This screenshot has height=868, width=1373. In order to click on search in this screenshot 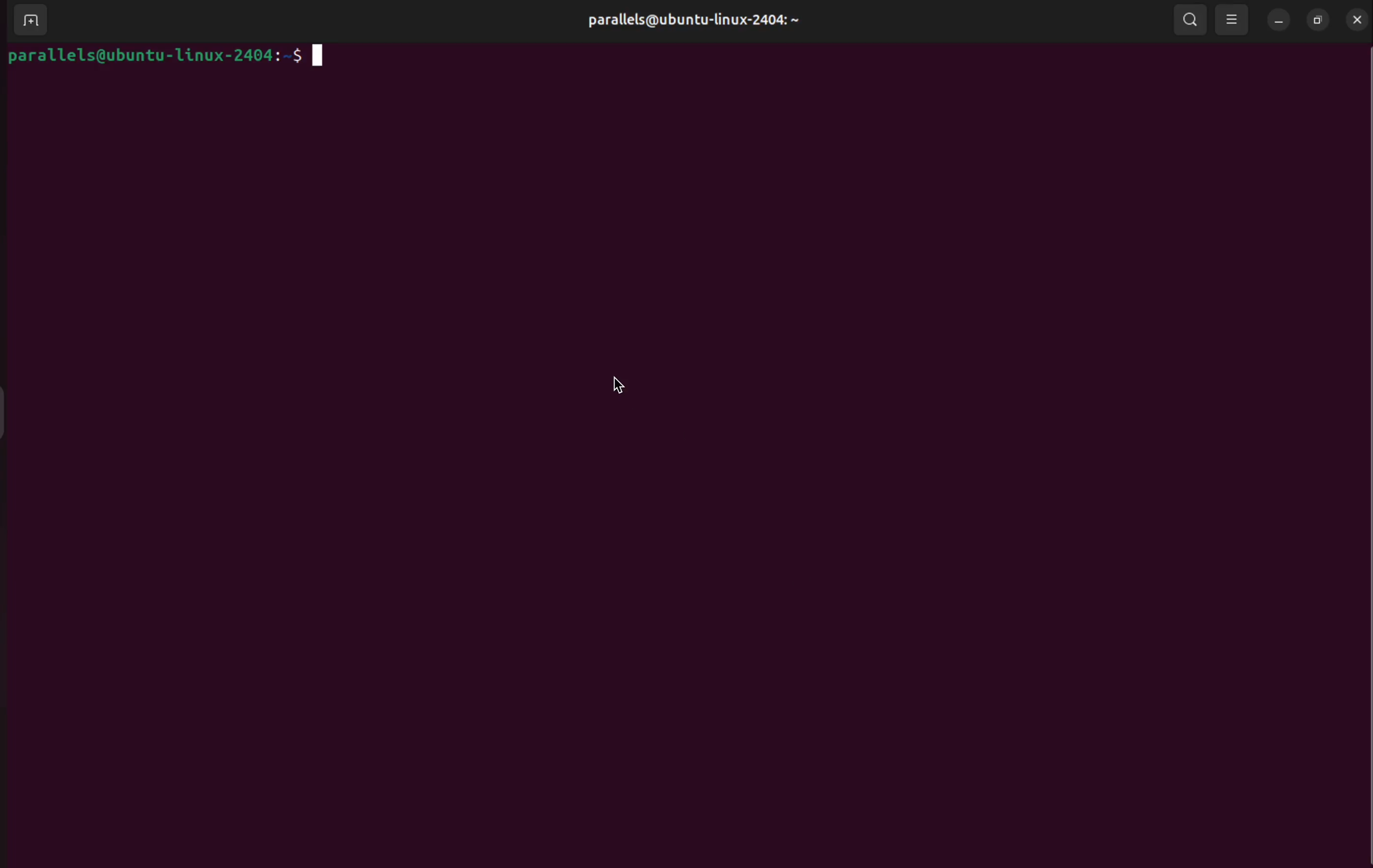, I will do `click(1191, 21)`.